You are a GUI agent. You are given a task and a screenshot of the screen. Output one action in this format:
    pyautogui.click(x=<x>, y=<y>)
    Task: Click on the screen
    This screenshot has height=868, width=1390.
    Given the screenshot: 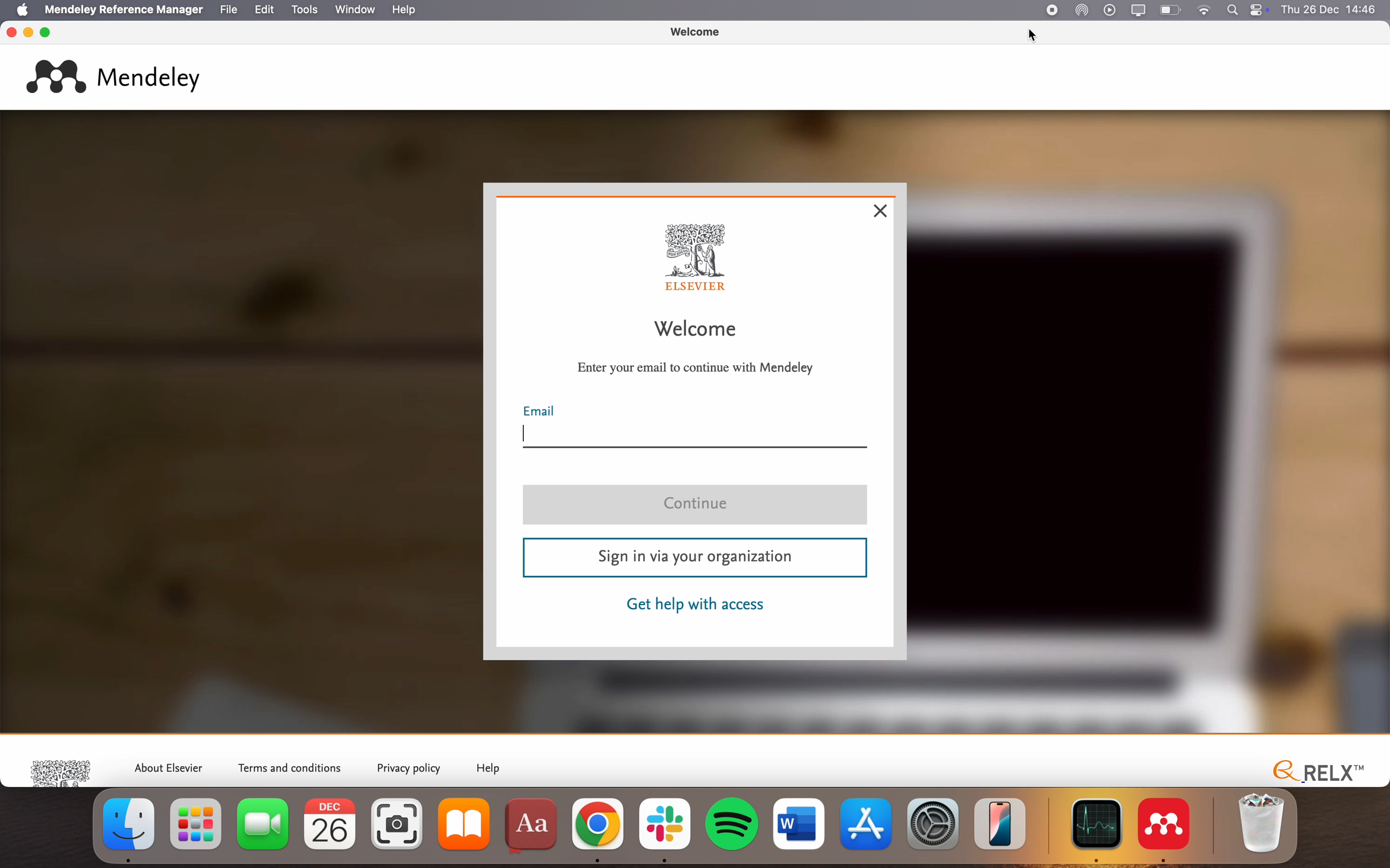 What is the action you would take?
    pyautogui.click(x=1135, y=10)
    